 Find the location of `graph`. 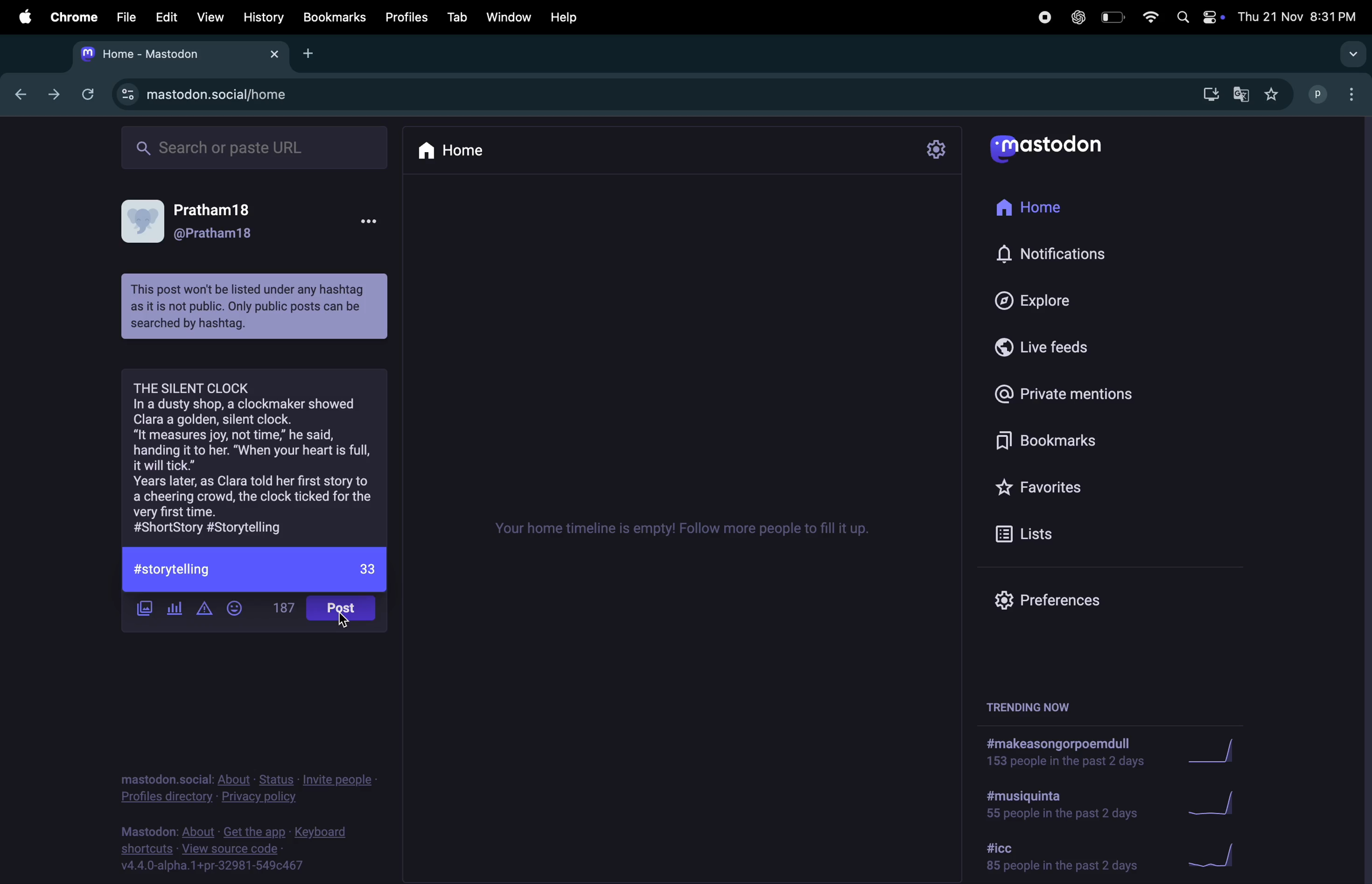

graph is located at coordinates (1216, 752).